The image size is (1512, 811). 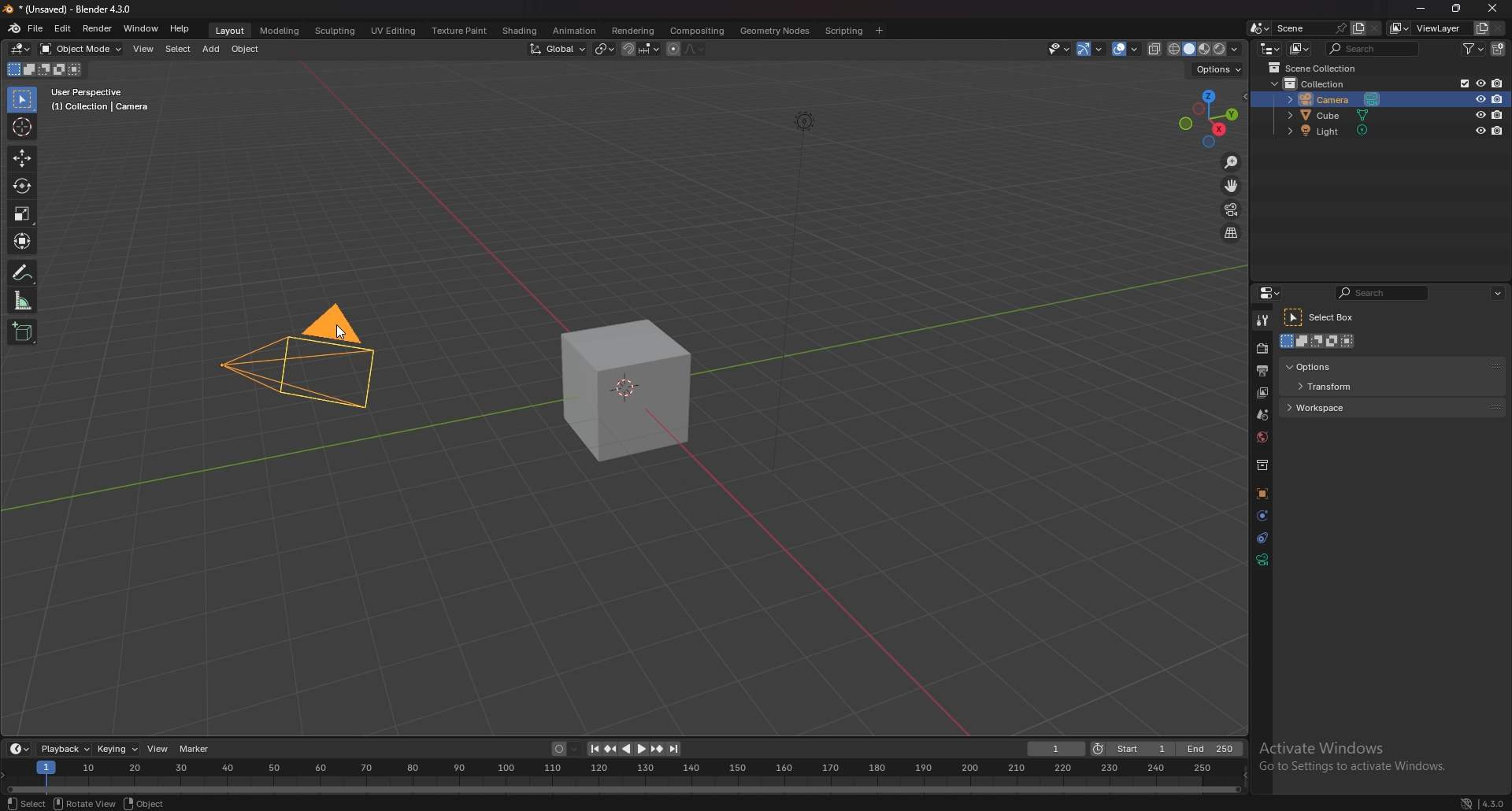 What do you see at coordinates (635, 749) in the screenshot?
I see `play animation` at bounding box center [635, 749].